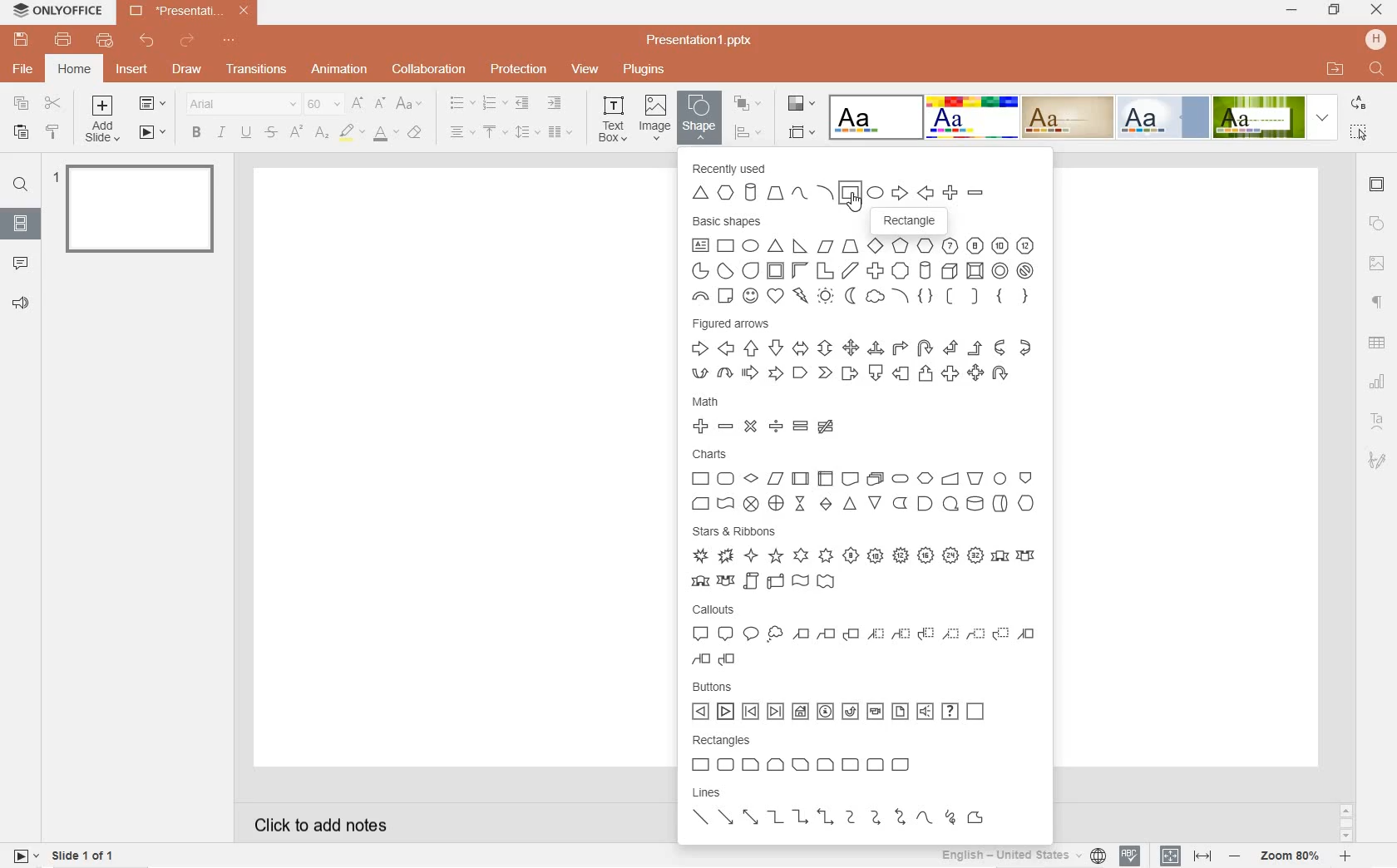 Image resolution: width=1397 pixels, height=868 pixels. What do you see at coordinates (753, 296) in the screenshot?
I see `Smiley Face` at bounding box center [753, 296].